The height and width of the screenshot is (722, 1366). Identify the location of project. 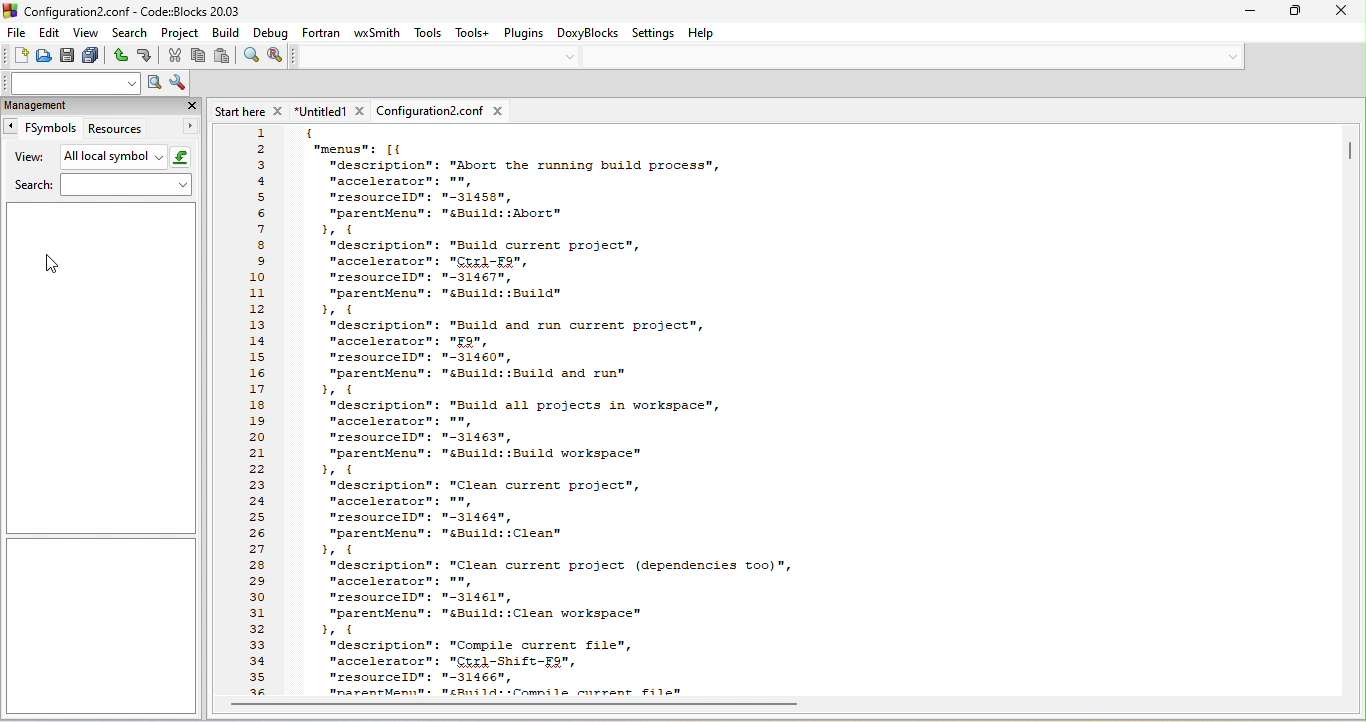
(181, 34).